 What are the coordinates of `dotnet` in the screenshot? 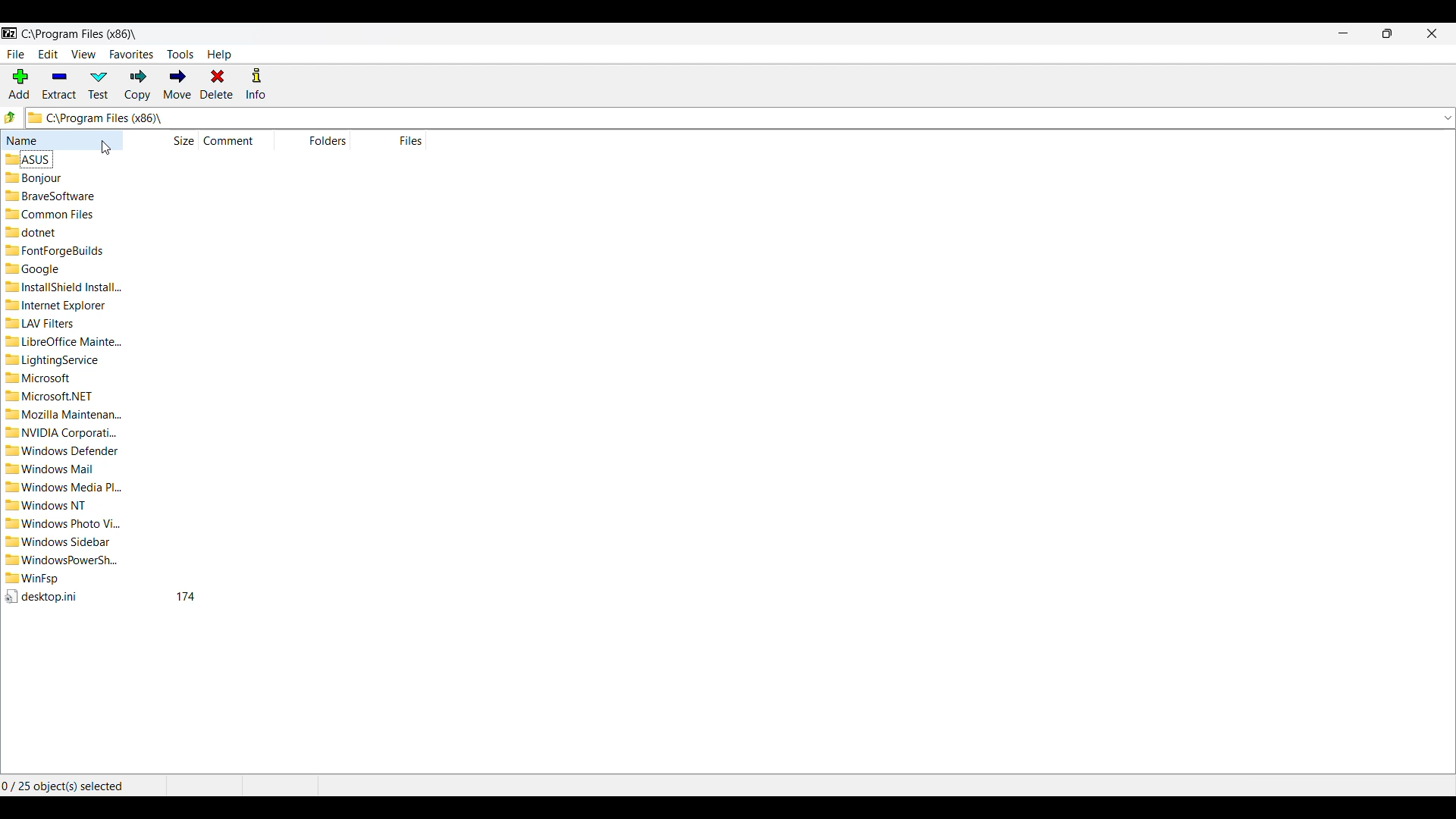 It's located at (34, 232).